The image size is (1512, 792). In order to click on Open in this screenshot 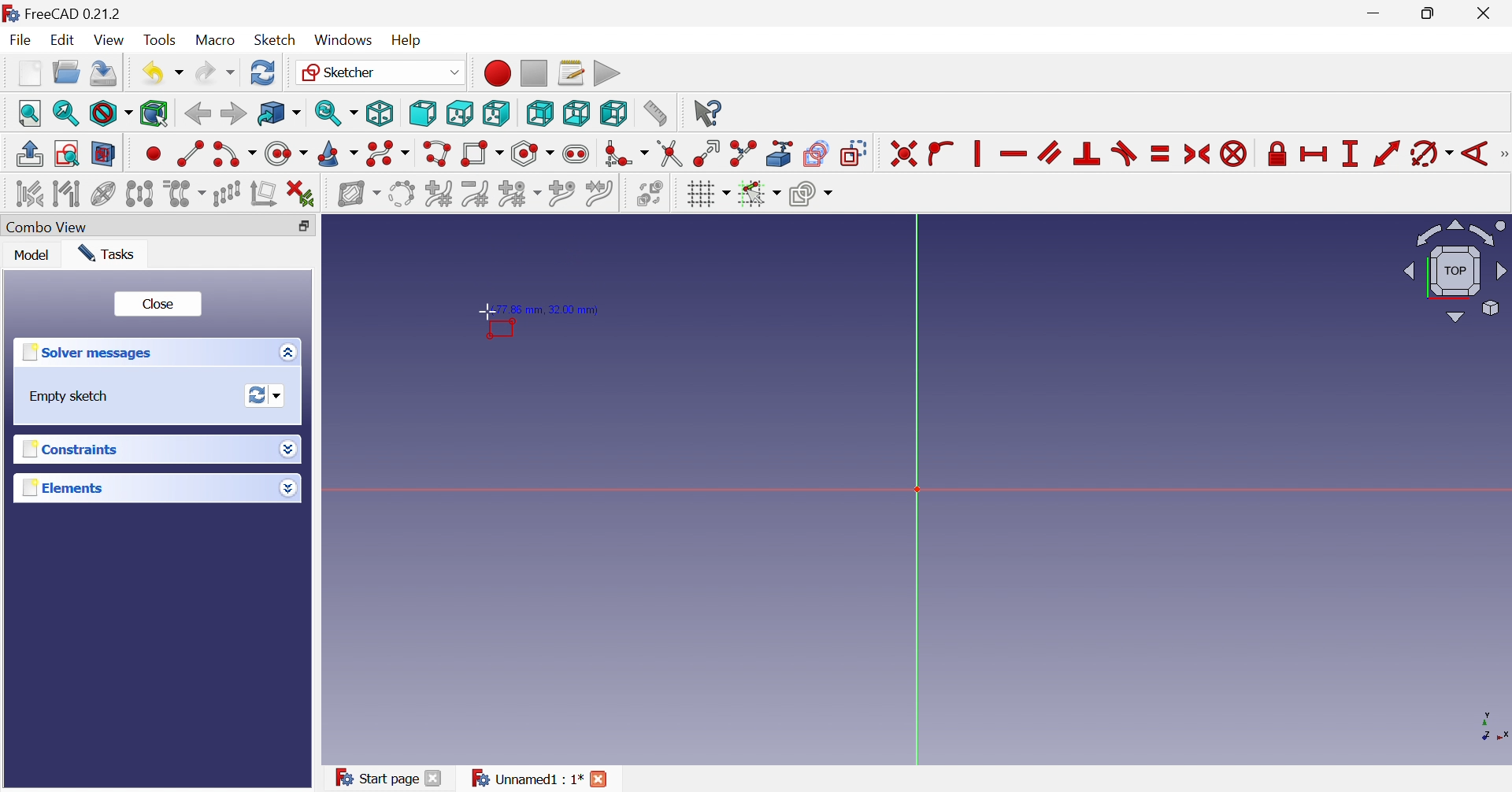, I will do `click(66, 72)`.